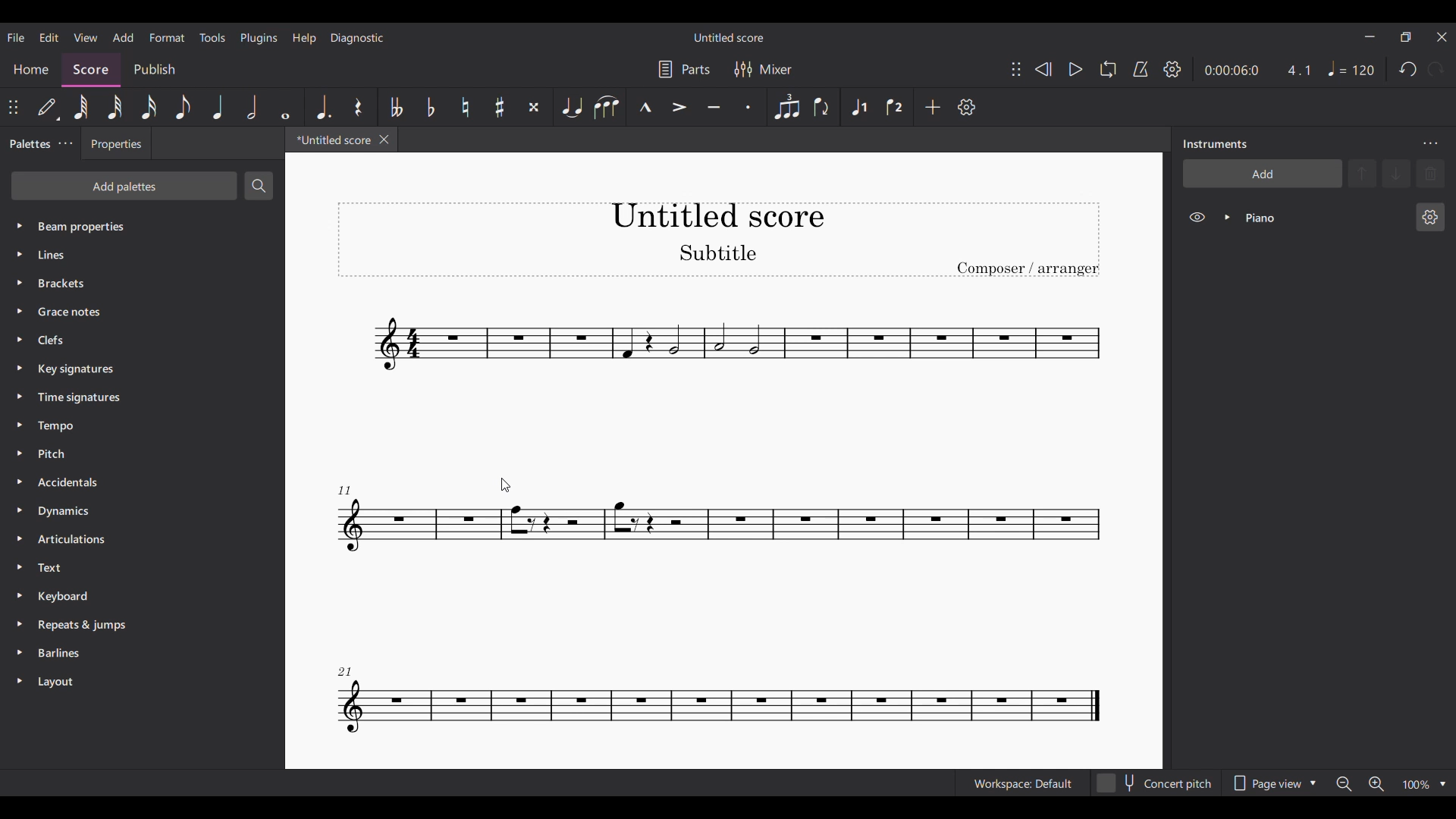  I want to click on Keyboard, so click(130, 595).